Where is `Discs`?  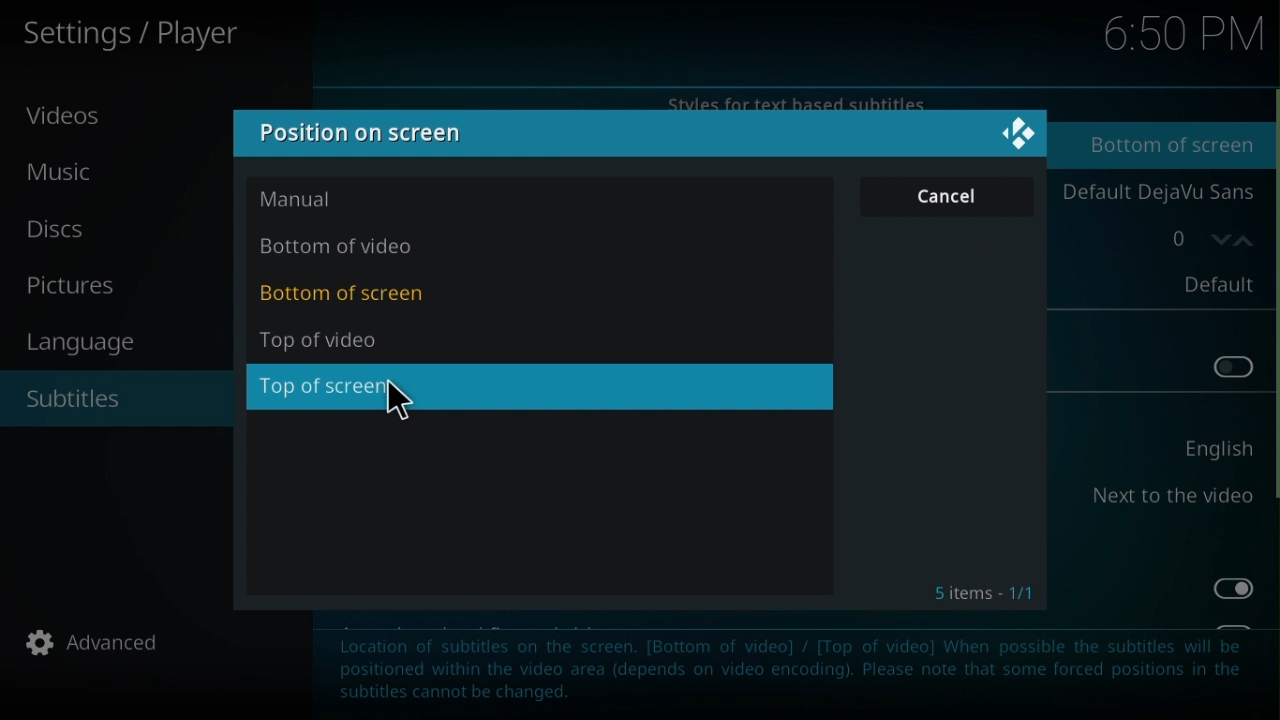
Discs is located at coordinates (67, 229).